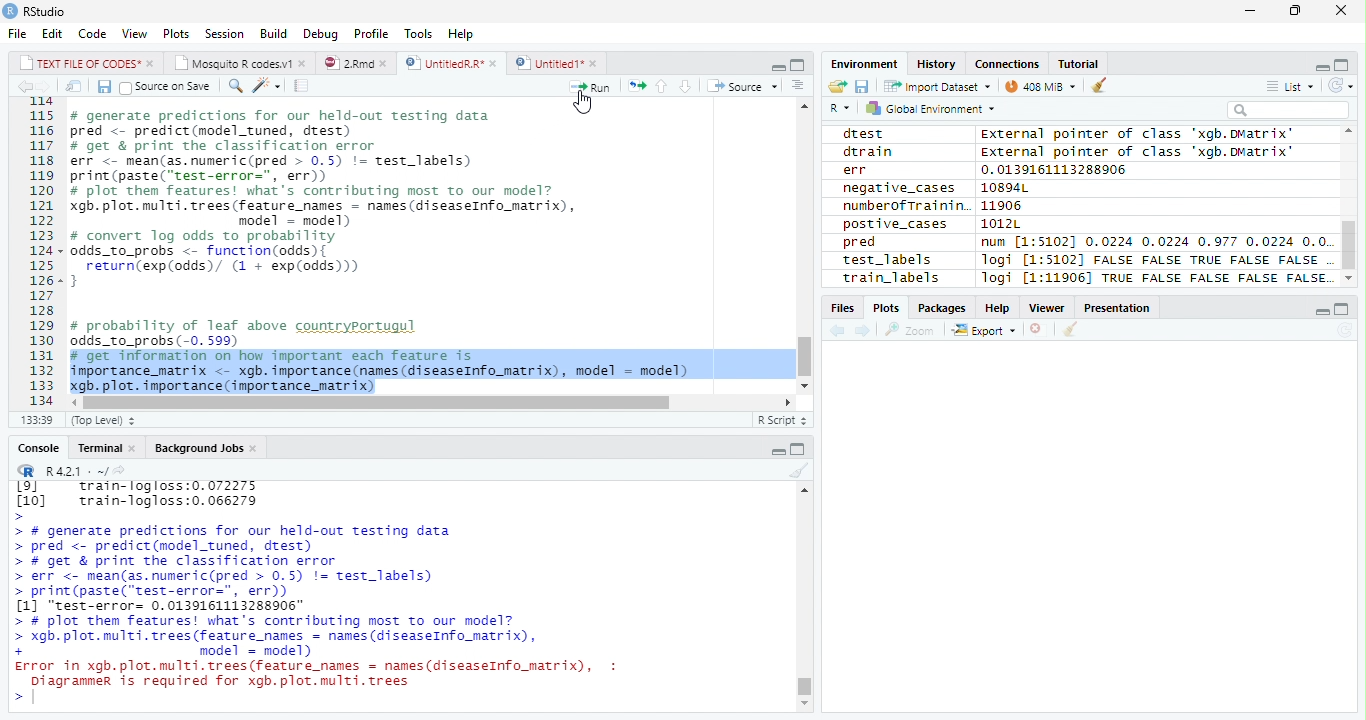  What do you see at coordinates (862, 331) in the screenshot?
I see `Next` at bounding box center [862, 331].